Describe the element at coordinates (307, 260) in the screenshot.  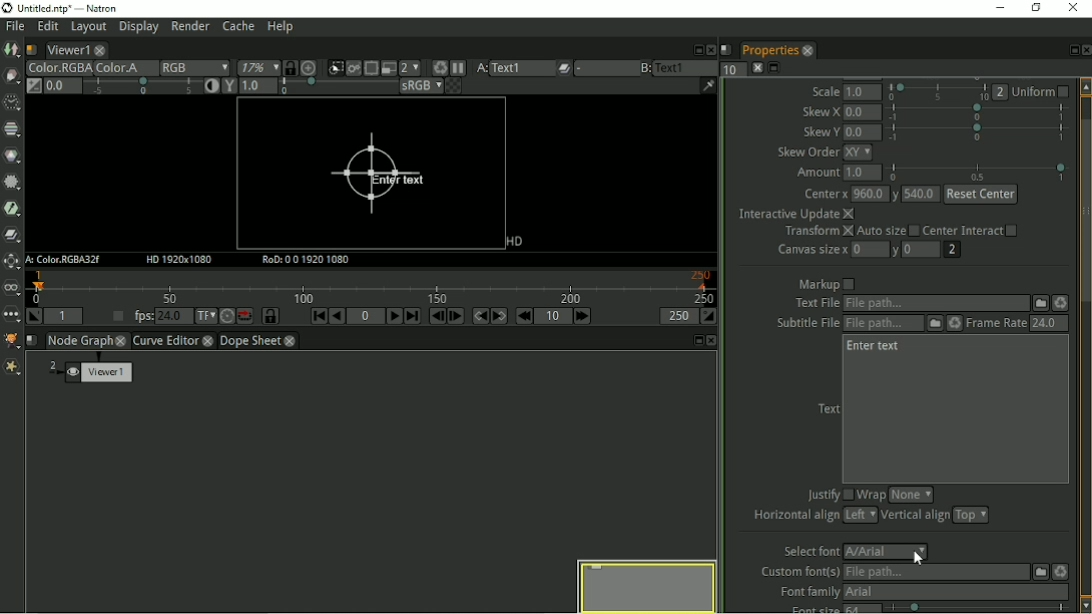
I see `RoD` at that location.